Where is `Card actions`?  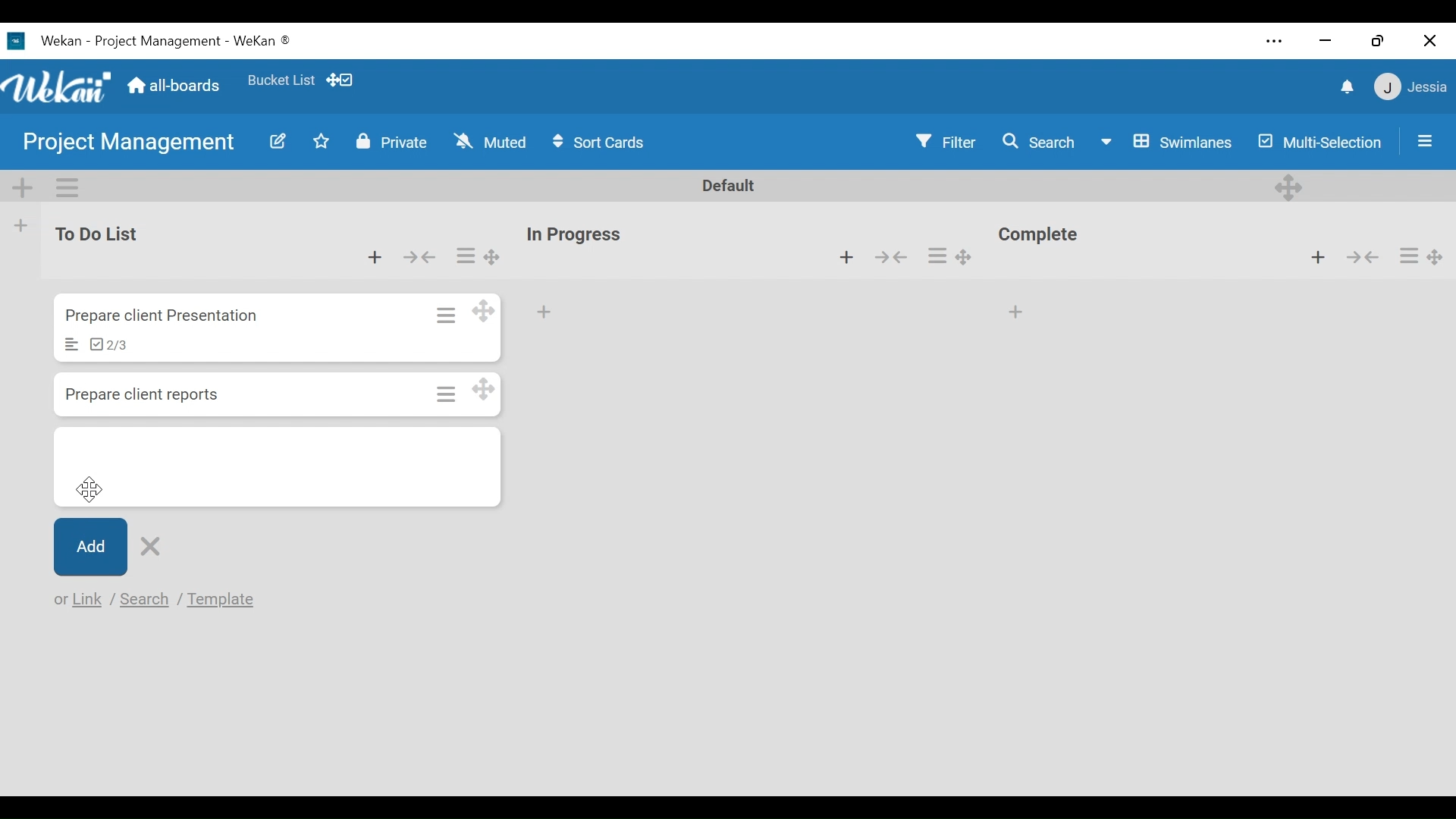
Card actions is located at coordinates (444, 313).